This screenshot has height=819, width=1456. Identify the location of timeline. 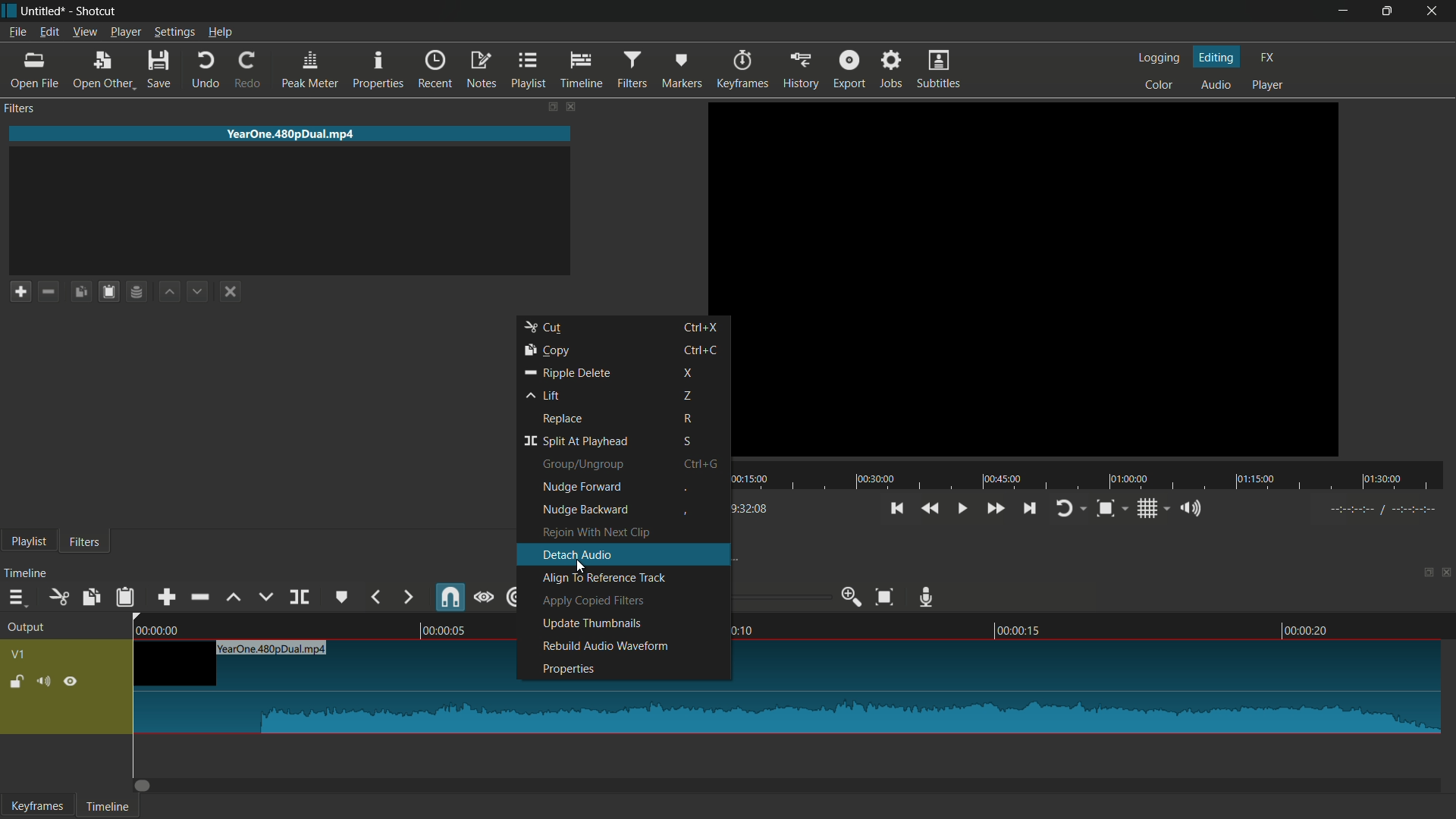
(582, 70).